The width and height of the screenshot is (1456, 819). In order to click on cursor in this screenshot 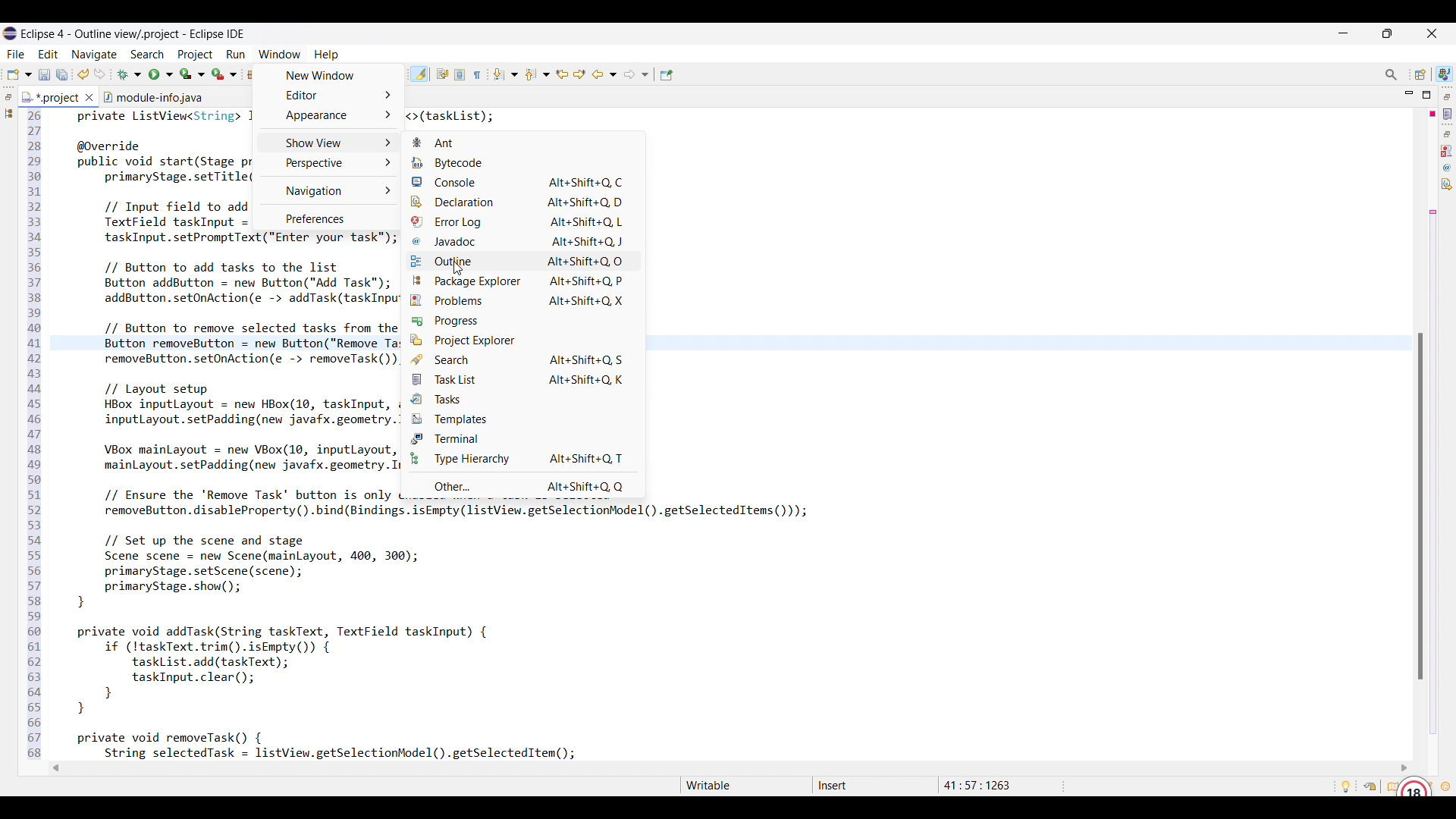, I will do `click(457, 268)`.